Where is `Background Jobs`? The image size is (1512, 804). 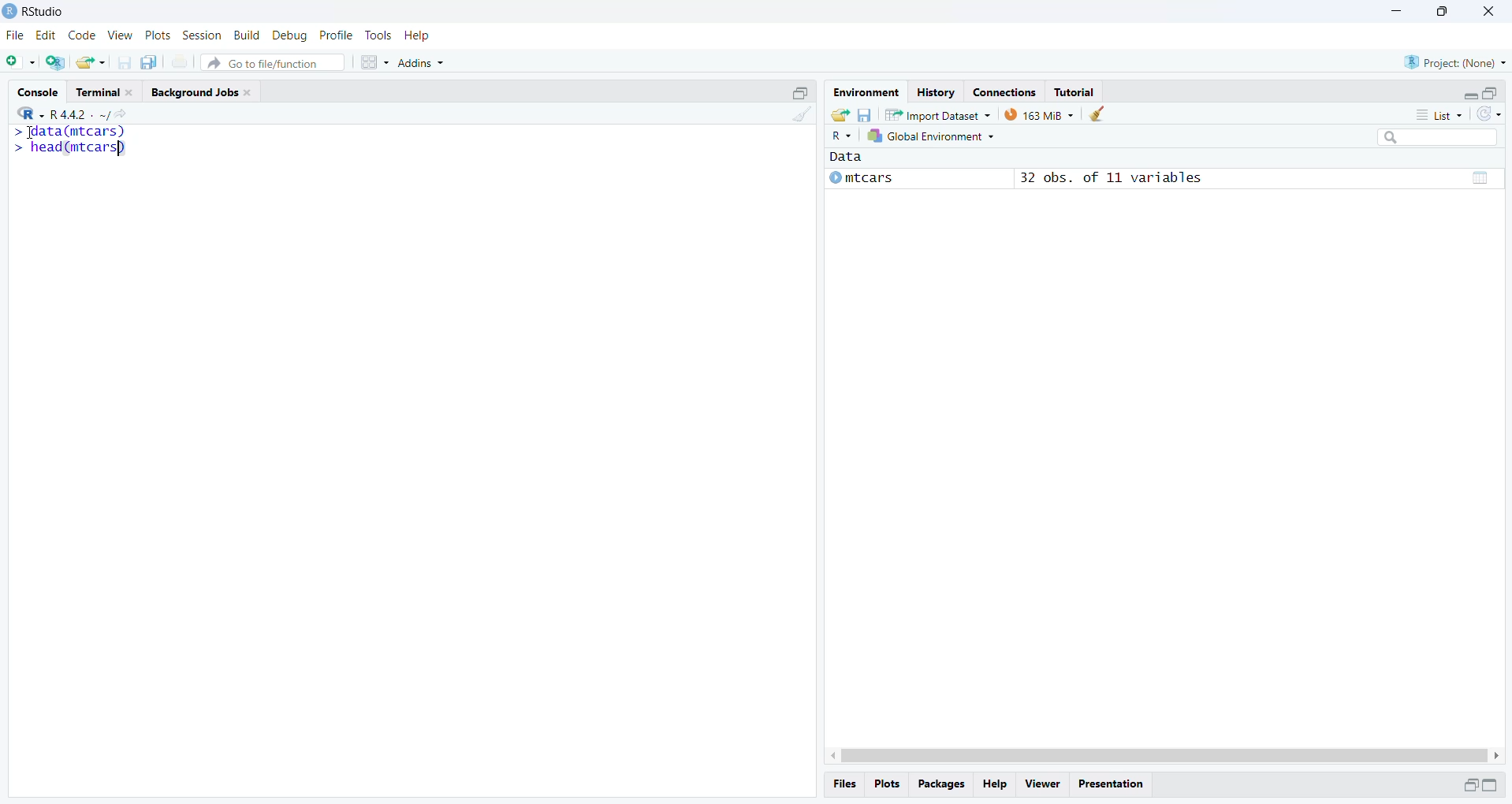 Background Jobs is located at coordinates (193, 92).